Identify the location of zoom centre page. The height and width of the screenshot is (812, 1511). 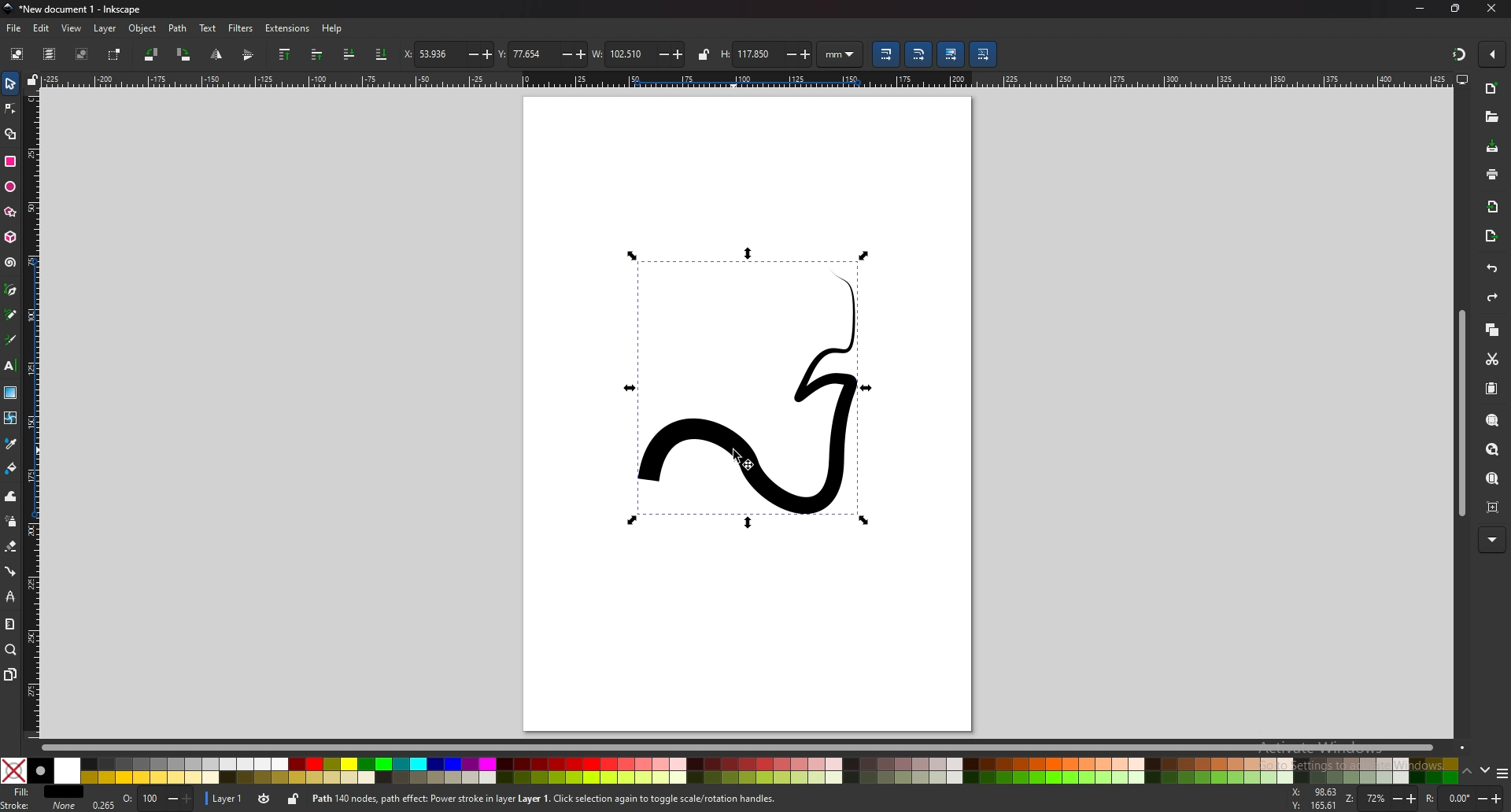
(1493, 507).